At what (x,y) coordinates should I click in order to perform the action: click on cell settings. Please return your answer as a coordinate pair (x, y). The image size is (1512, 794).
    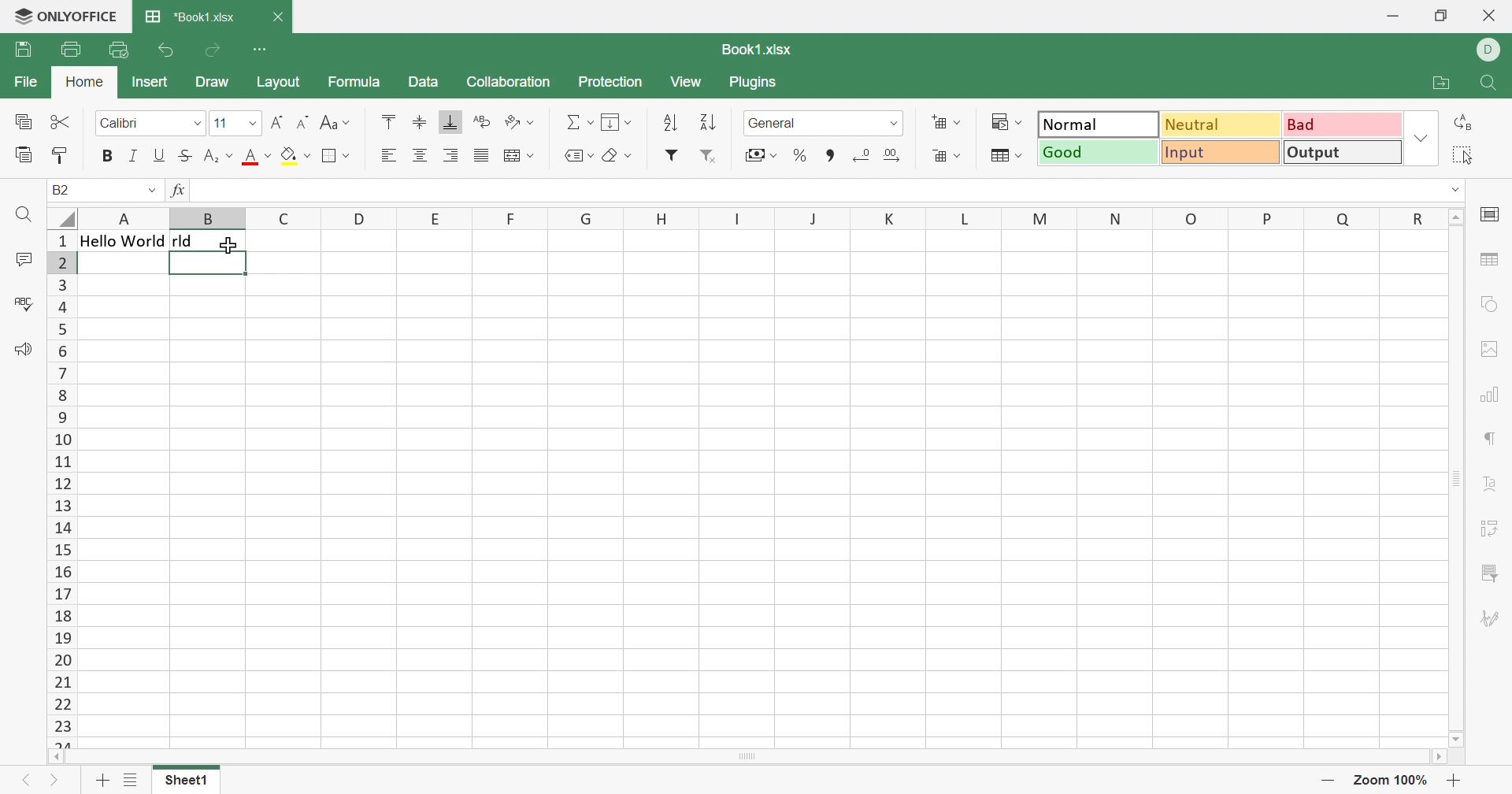
    Looking at the image, I should click on (1486, 216).